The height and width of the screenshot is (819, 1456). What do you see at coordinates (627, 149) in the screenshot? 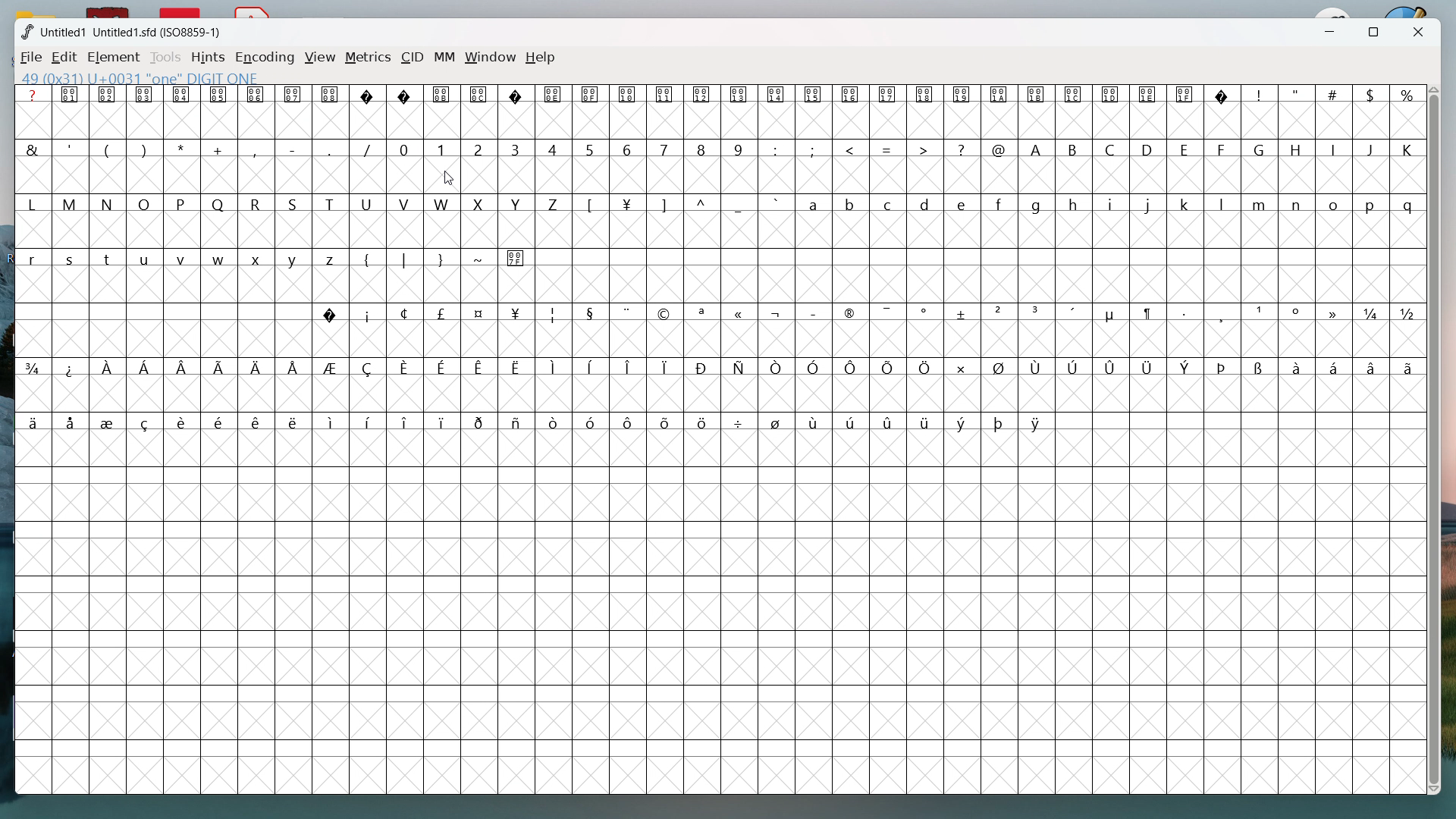
I see `6` at bounding box center [627, 149].